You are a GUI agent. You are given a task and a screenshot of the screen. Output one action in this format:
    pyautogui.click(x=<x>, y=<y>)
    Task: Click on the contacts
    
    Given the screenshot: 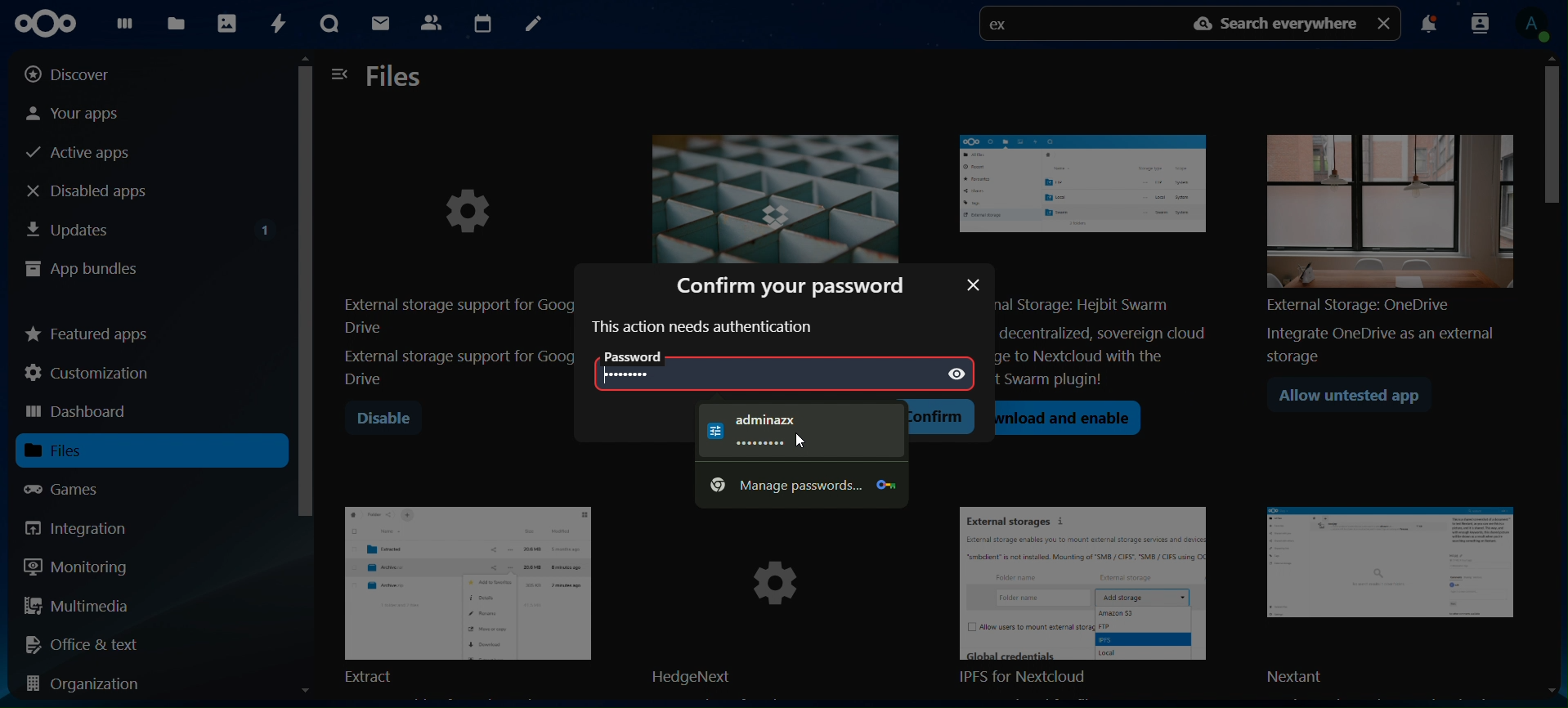 What is the action you would take?
    pyautogui.click(x=431, y=21)
    